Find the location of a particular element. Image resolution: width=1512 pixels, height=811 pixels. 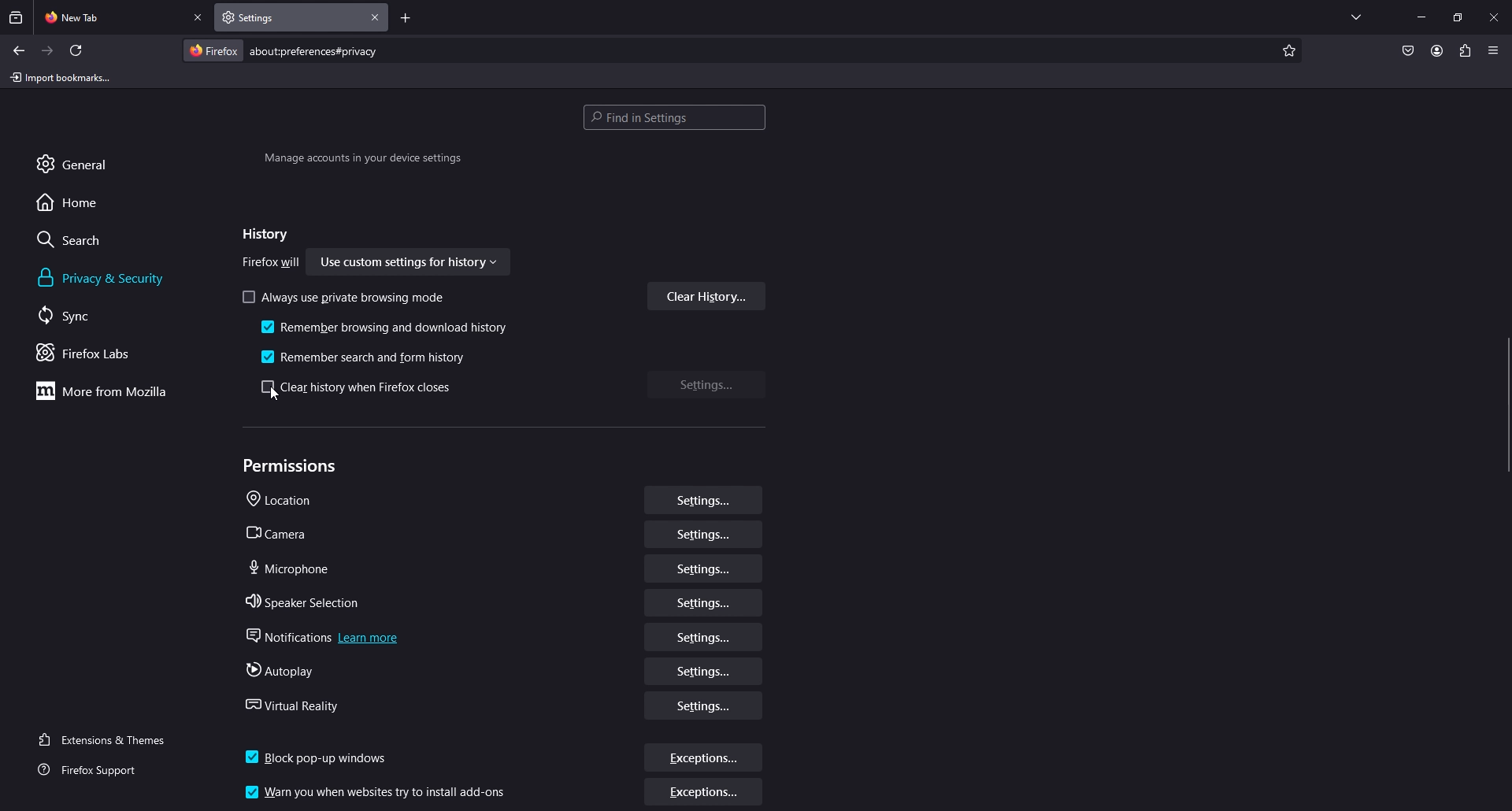

close tab is located at coordinates (199, 18).